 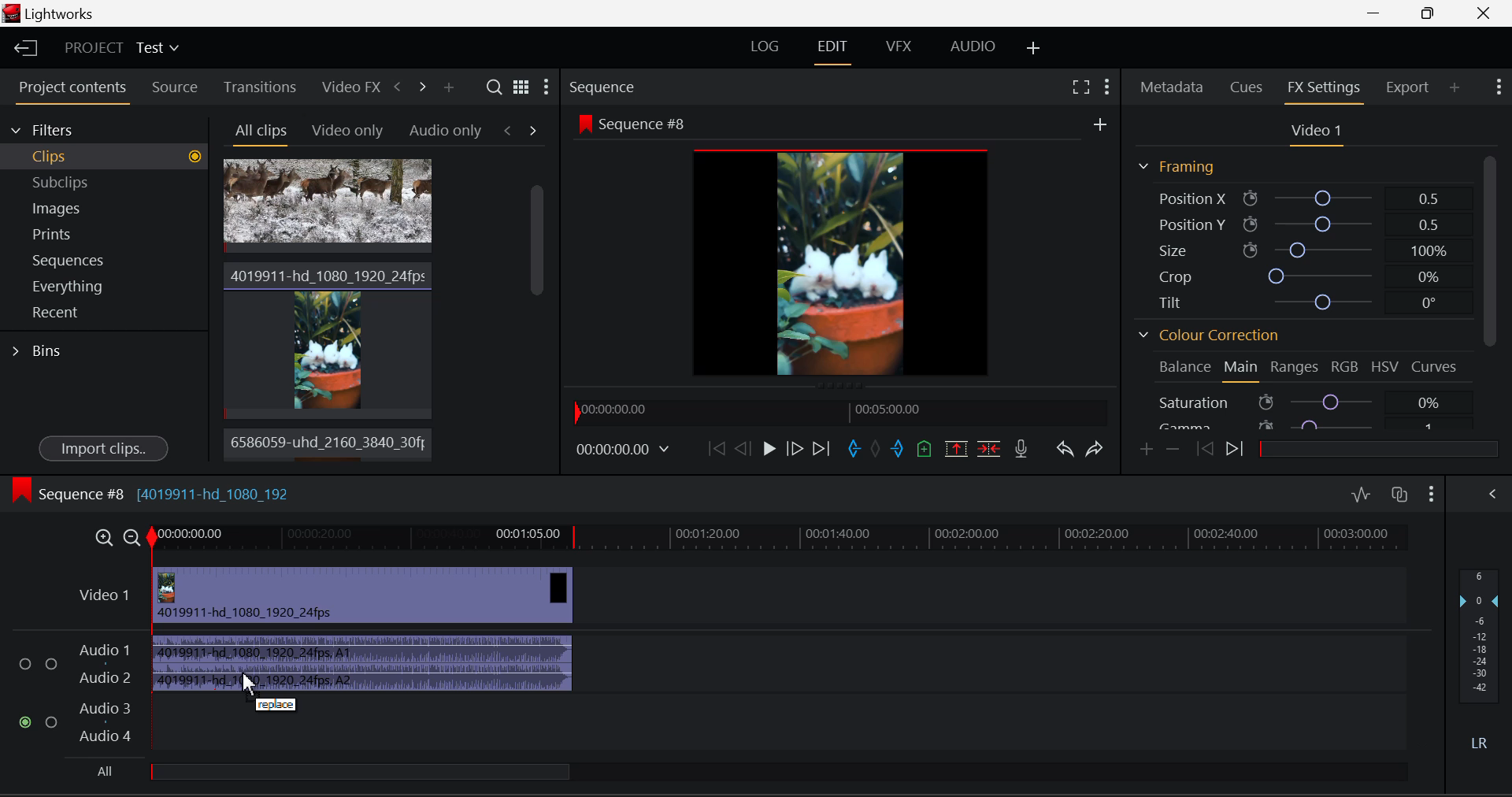 What do you see at coordinates (1173, 450) in the screenshot?
I see `Remove keyframe` at bounding box center [1173, 450].